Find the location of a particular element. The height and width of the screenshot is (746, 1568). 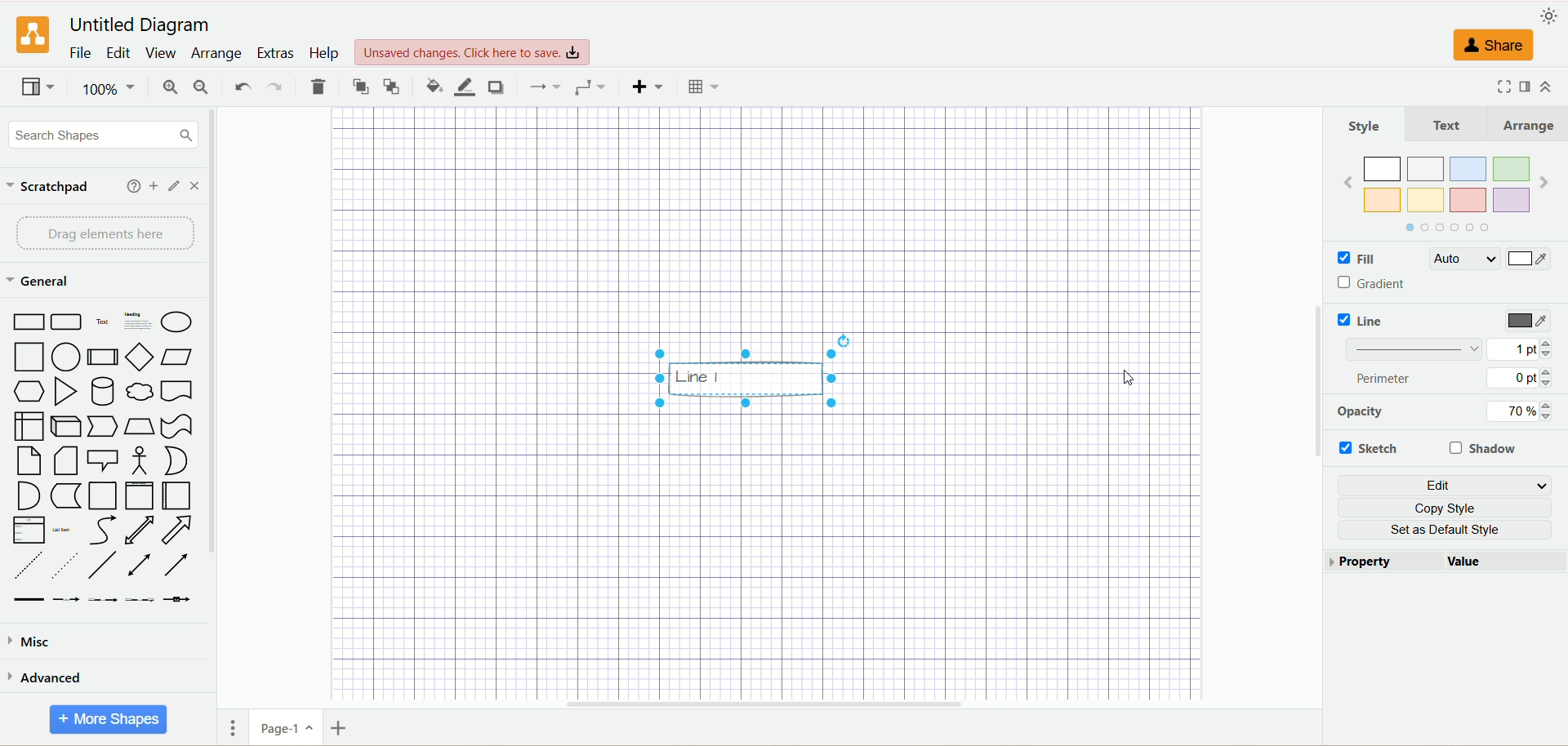

 is located at coordinates (746, 372).